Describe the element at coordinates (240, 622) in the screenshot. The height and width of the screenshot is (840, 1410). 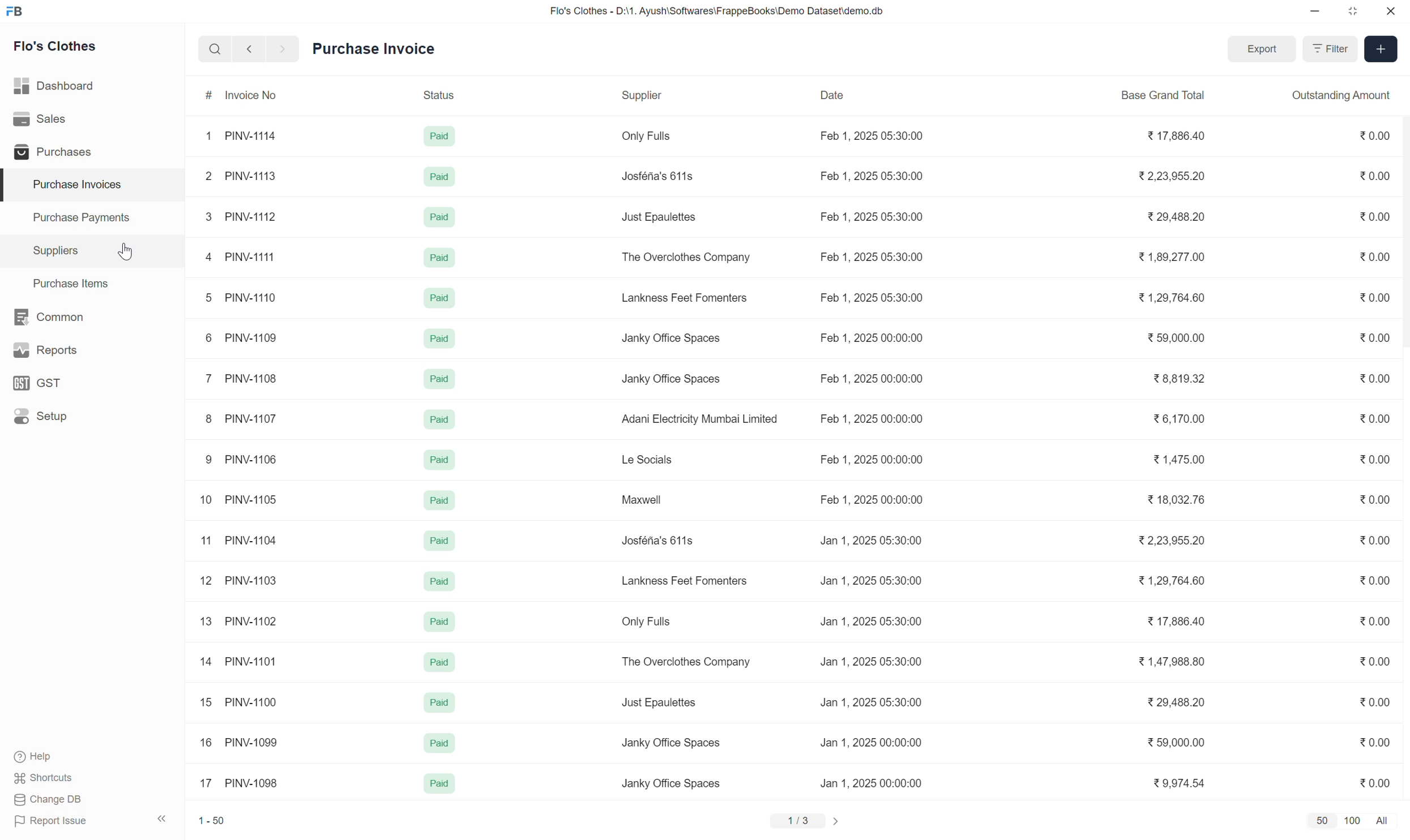
I see `13 PINV-1102` at that location.